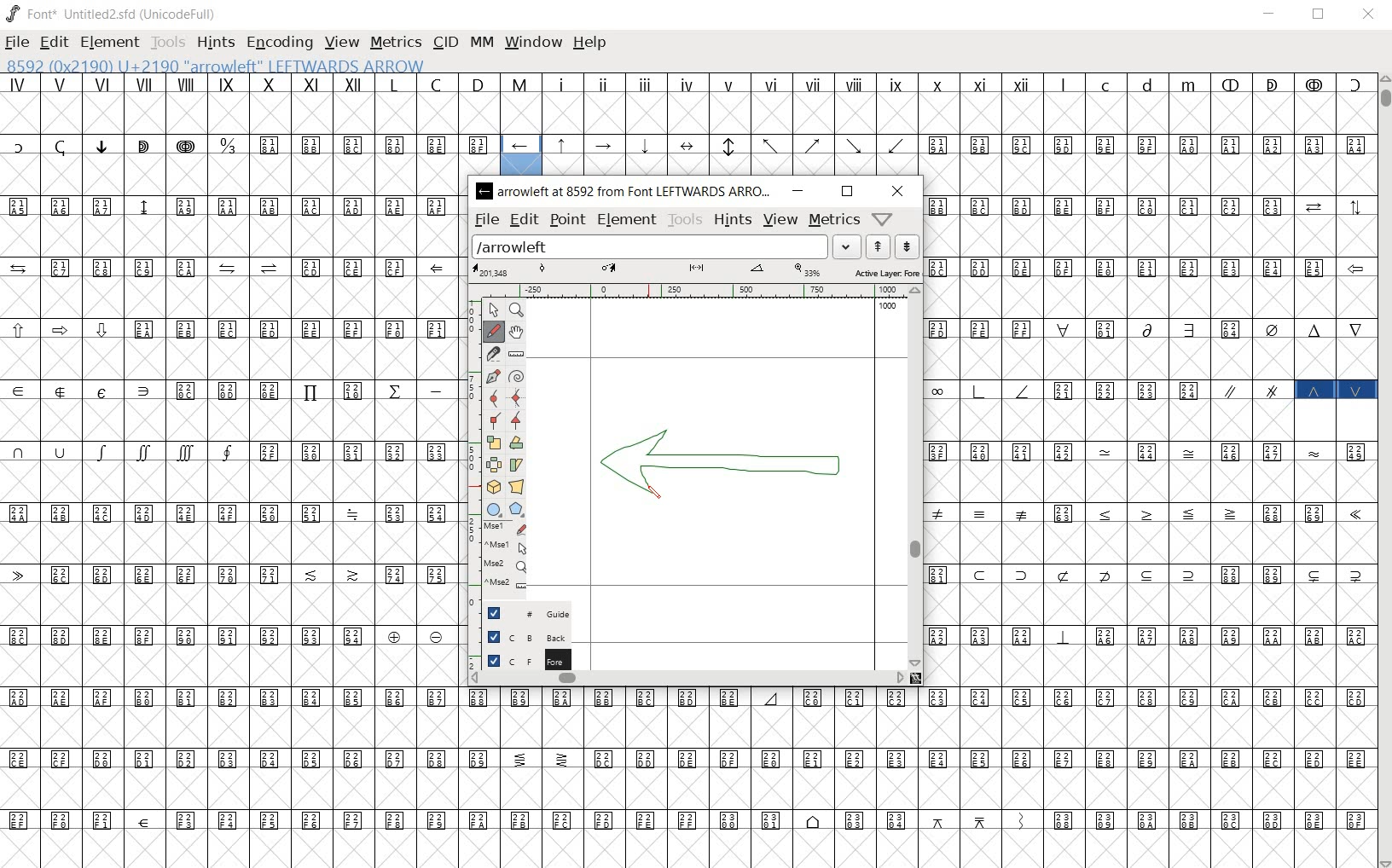 This screenshot has width=1392, height=868. I want to click on add a point, then drag out its control points, so click(491, 374).